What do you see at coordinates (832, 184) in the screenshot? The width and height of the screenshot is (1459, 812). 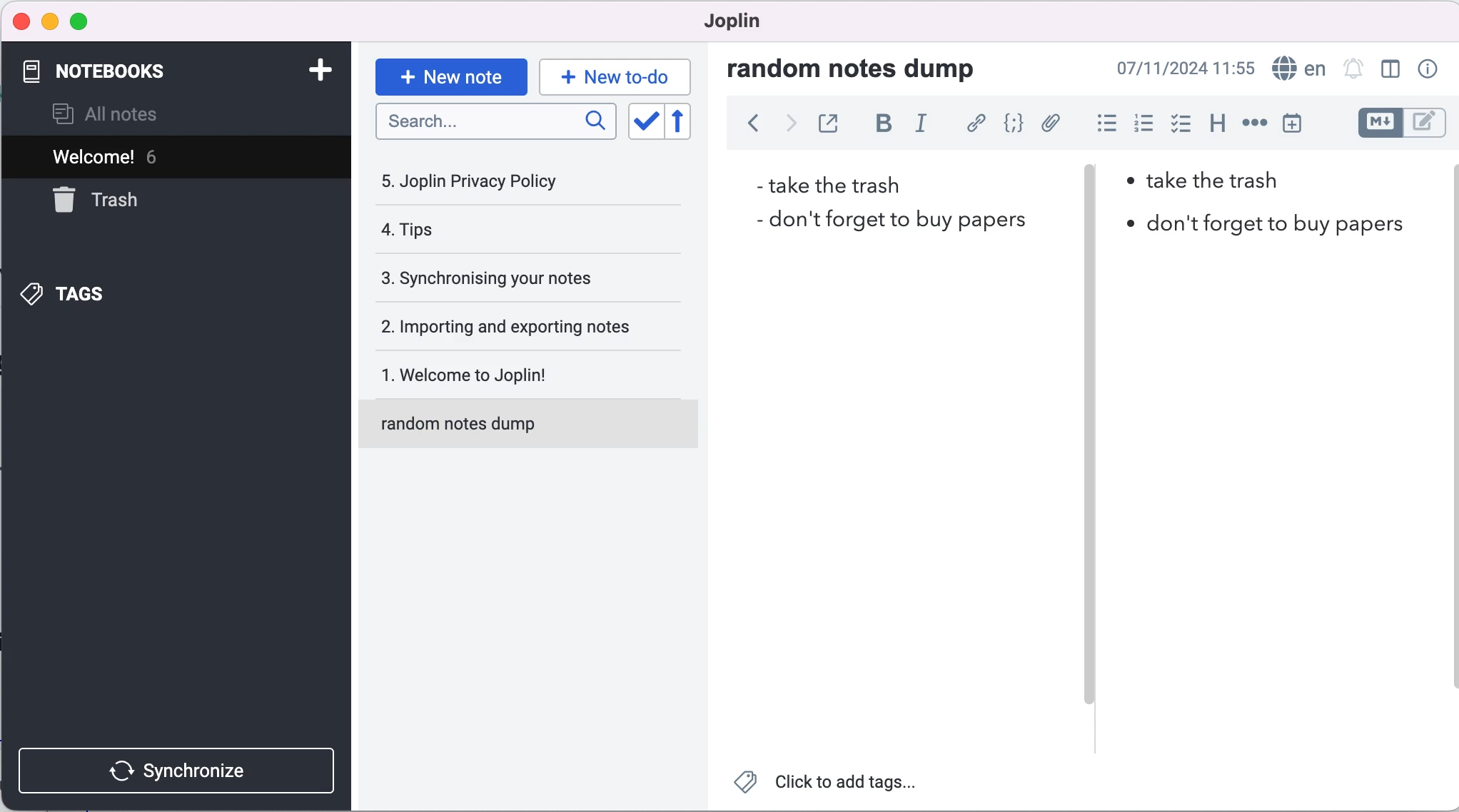 I see `take the trash` at bounding box center [832, 184].